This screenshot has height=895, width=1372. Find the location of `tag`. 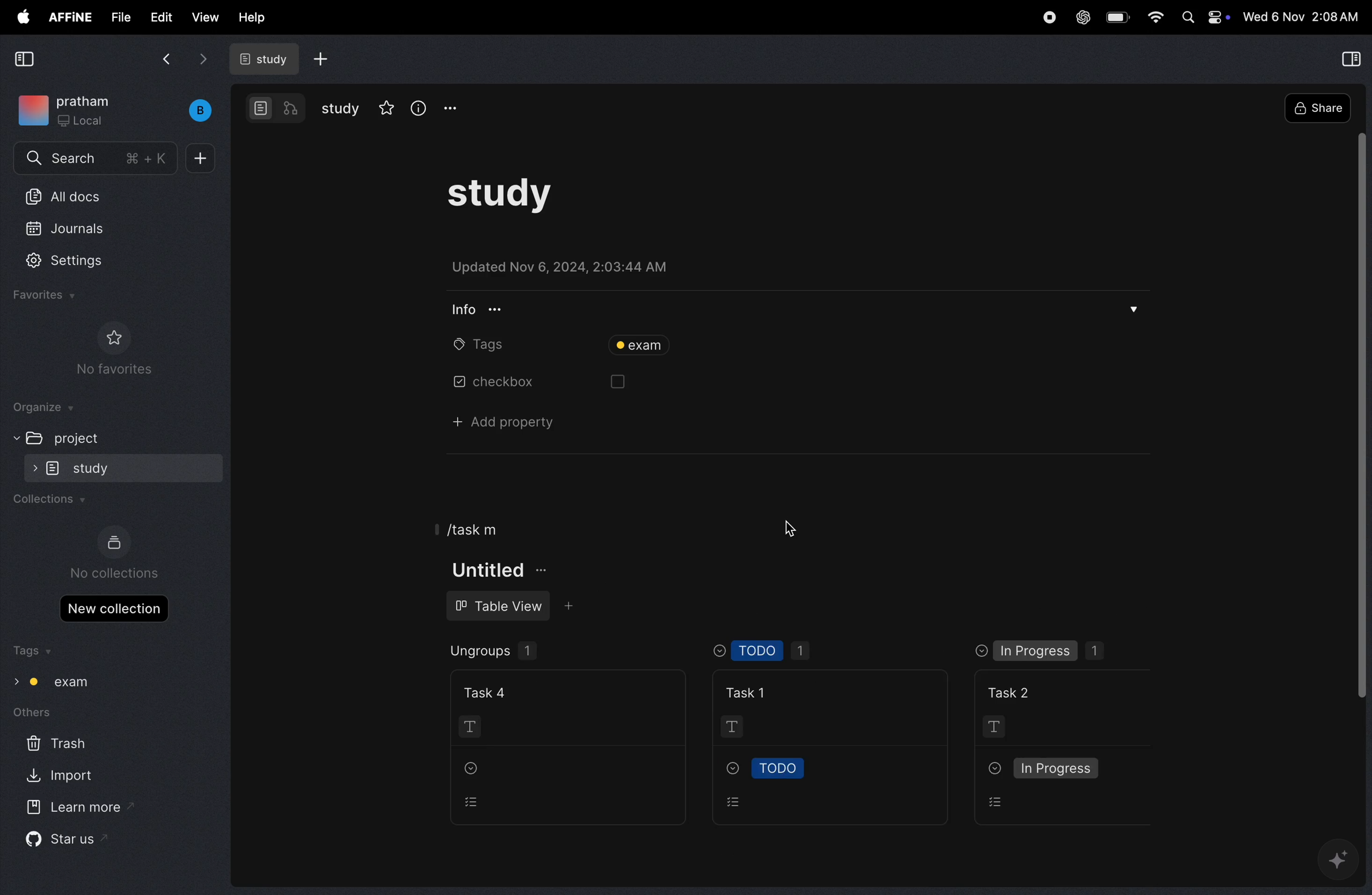

tag is located at coordinates (645, 347).